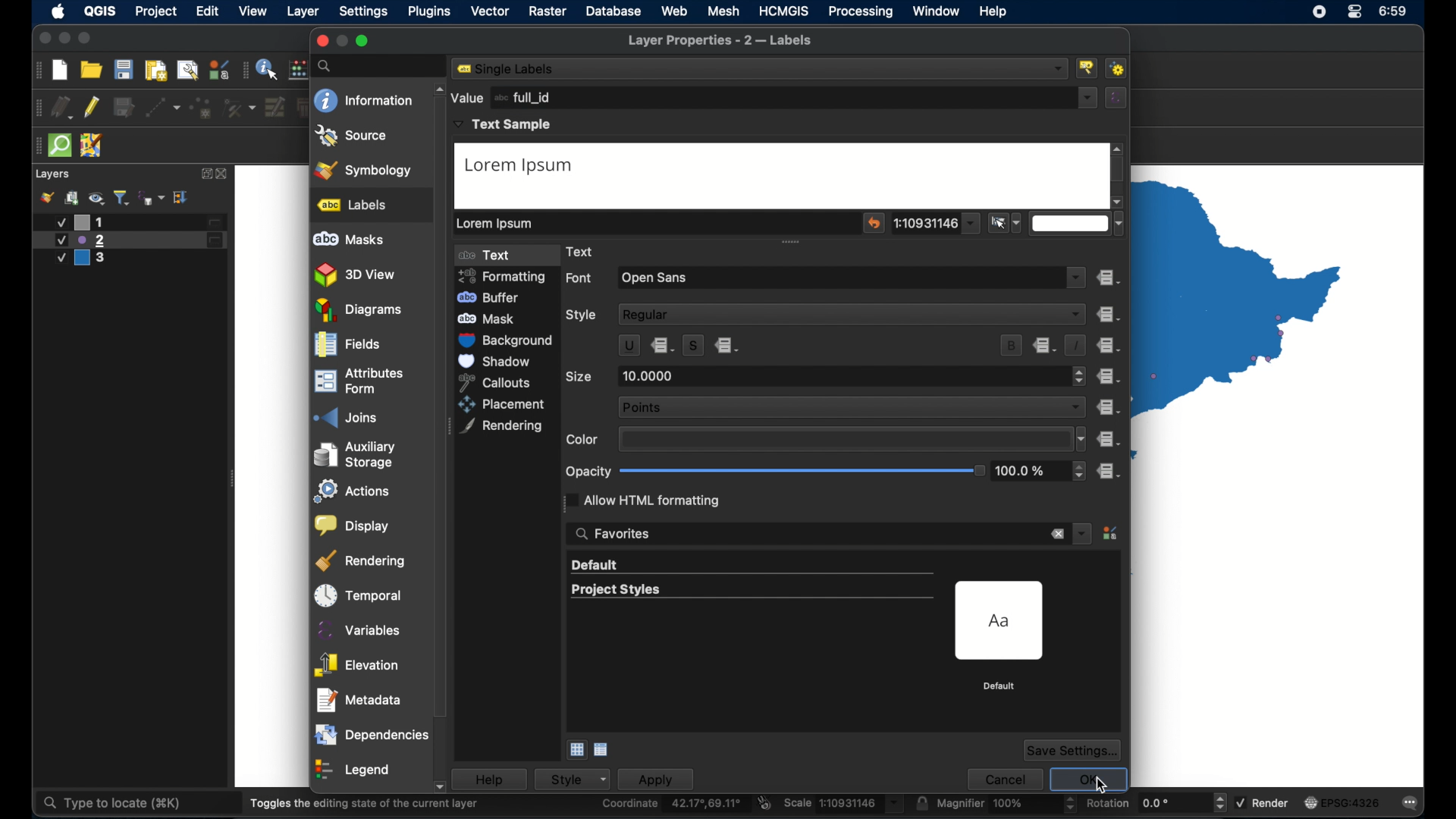 The image size is (1456, 819). I want to click on window, so click(937, 12).